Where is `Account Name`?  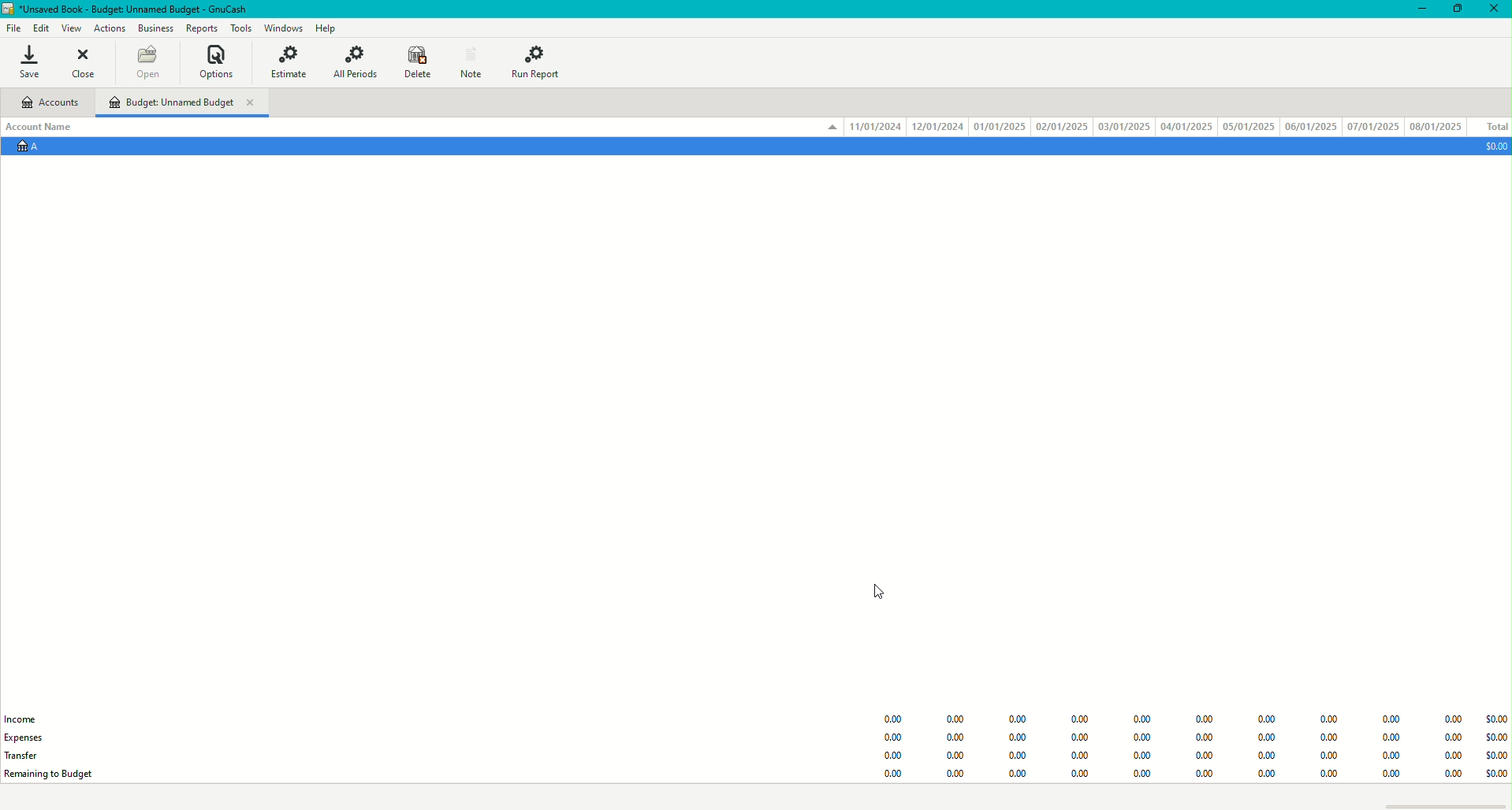
Account Name is located at coordinates (46, 125).